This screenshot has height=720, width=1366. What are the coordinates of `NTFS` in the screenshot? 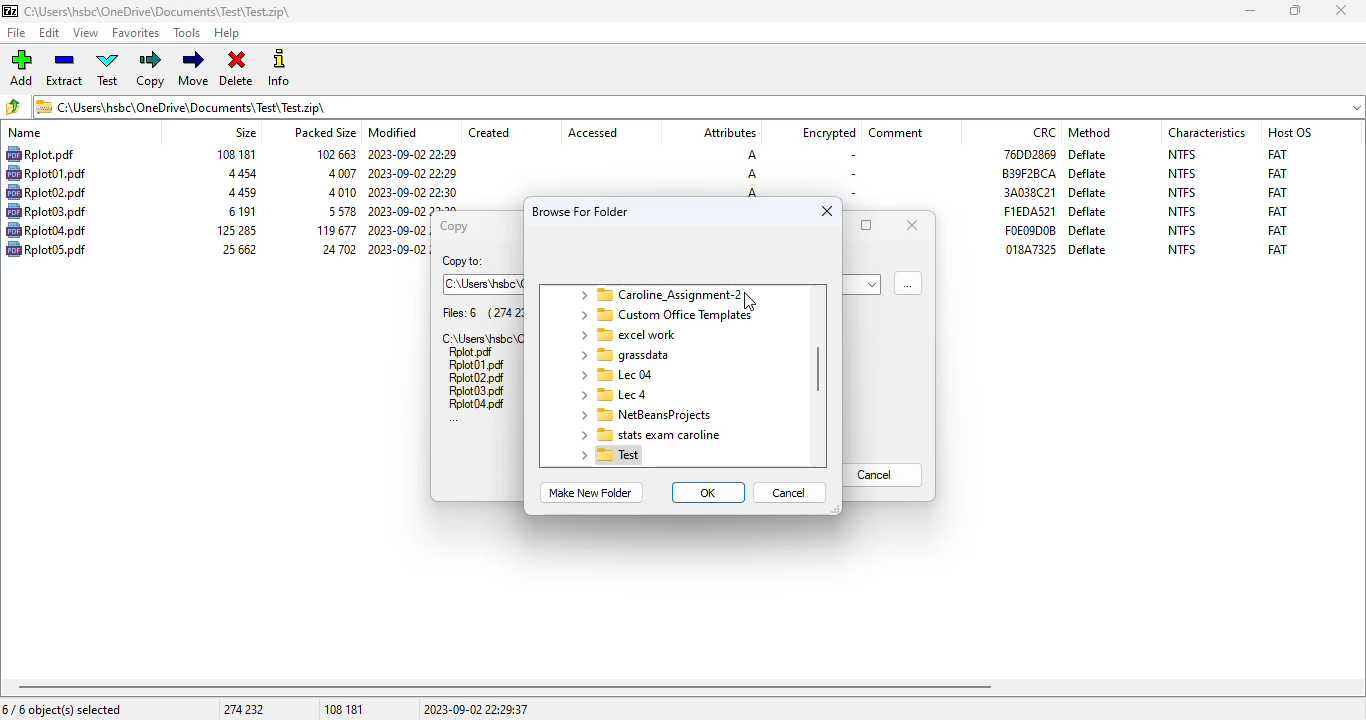 It's located at (1182, 154).